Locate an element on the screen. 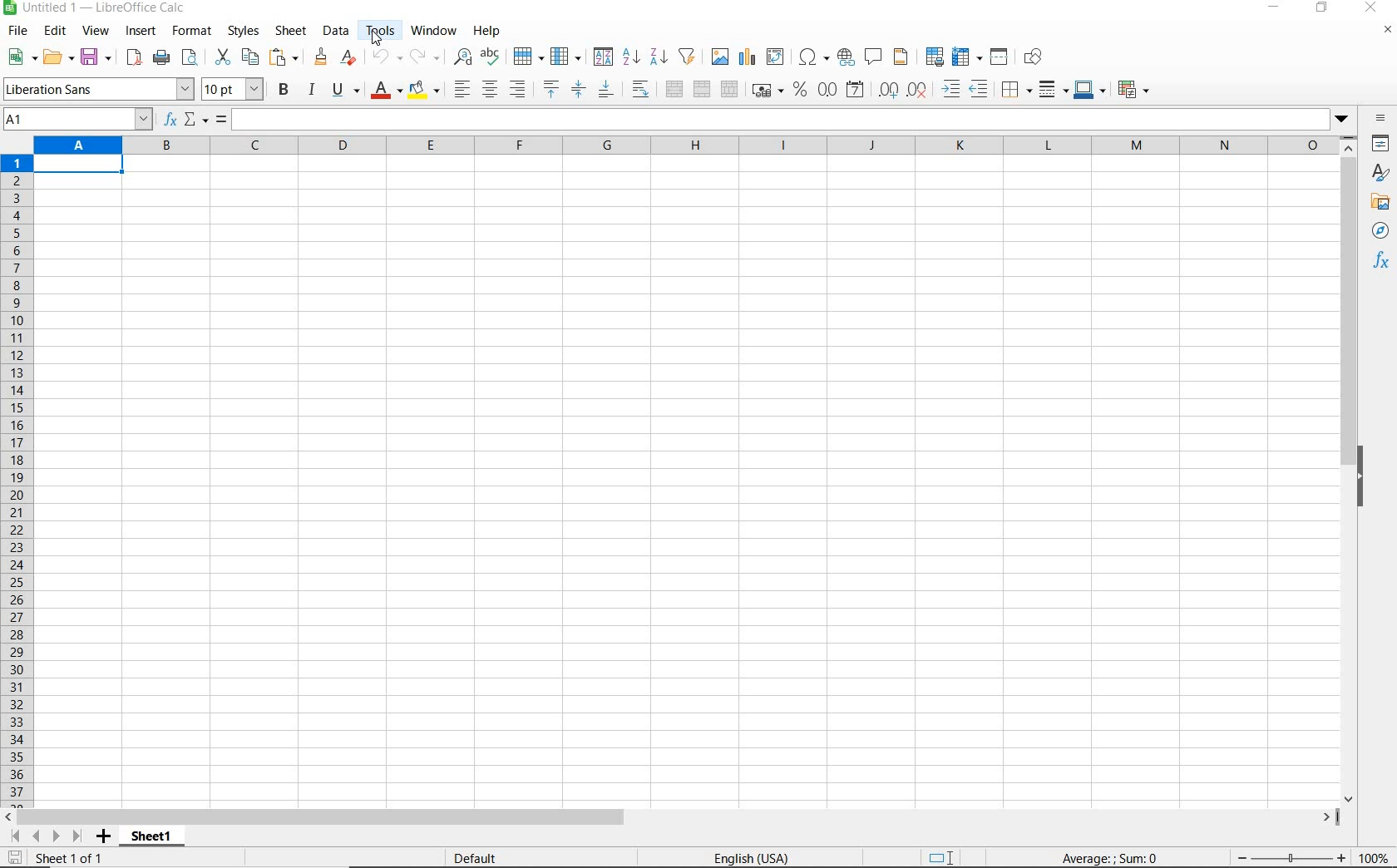  NAVIGATOR is located at coordinates (1380, 230).